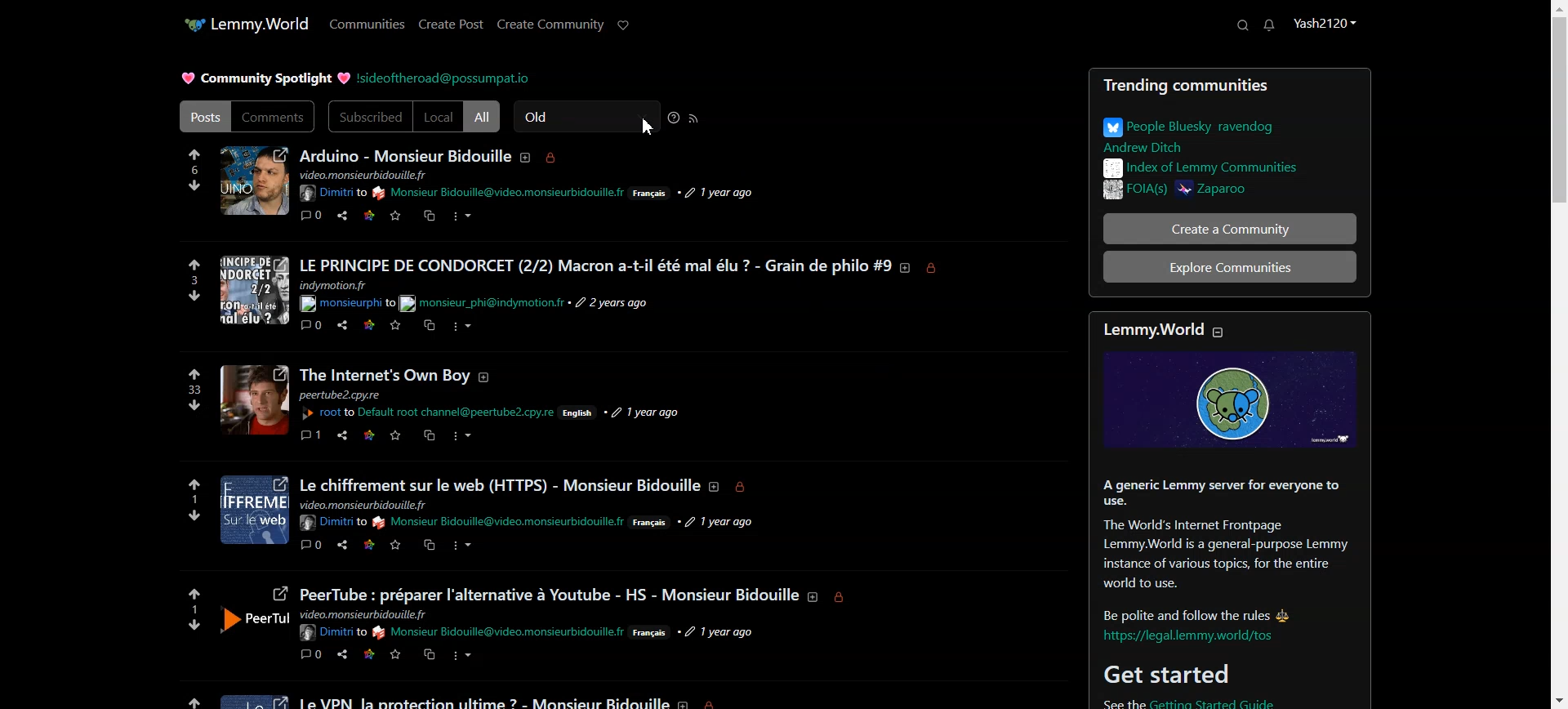 This screenshot has width=1568, height=709. Describe the element at coordinates (646, 127) in the screenshot. I see `cursor` at that location.